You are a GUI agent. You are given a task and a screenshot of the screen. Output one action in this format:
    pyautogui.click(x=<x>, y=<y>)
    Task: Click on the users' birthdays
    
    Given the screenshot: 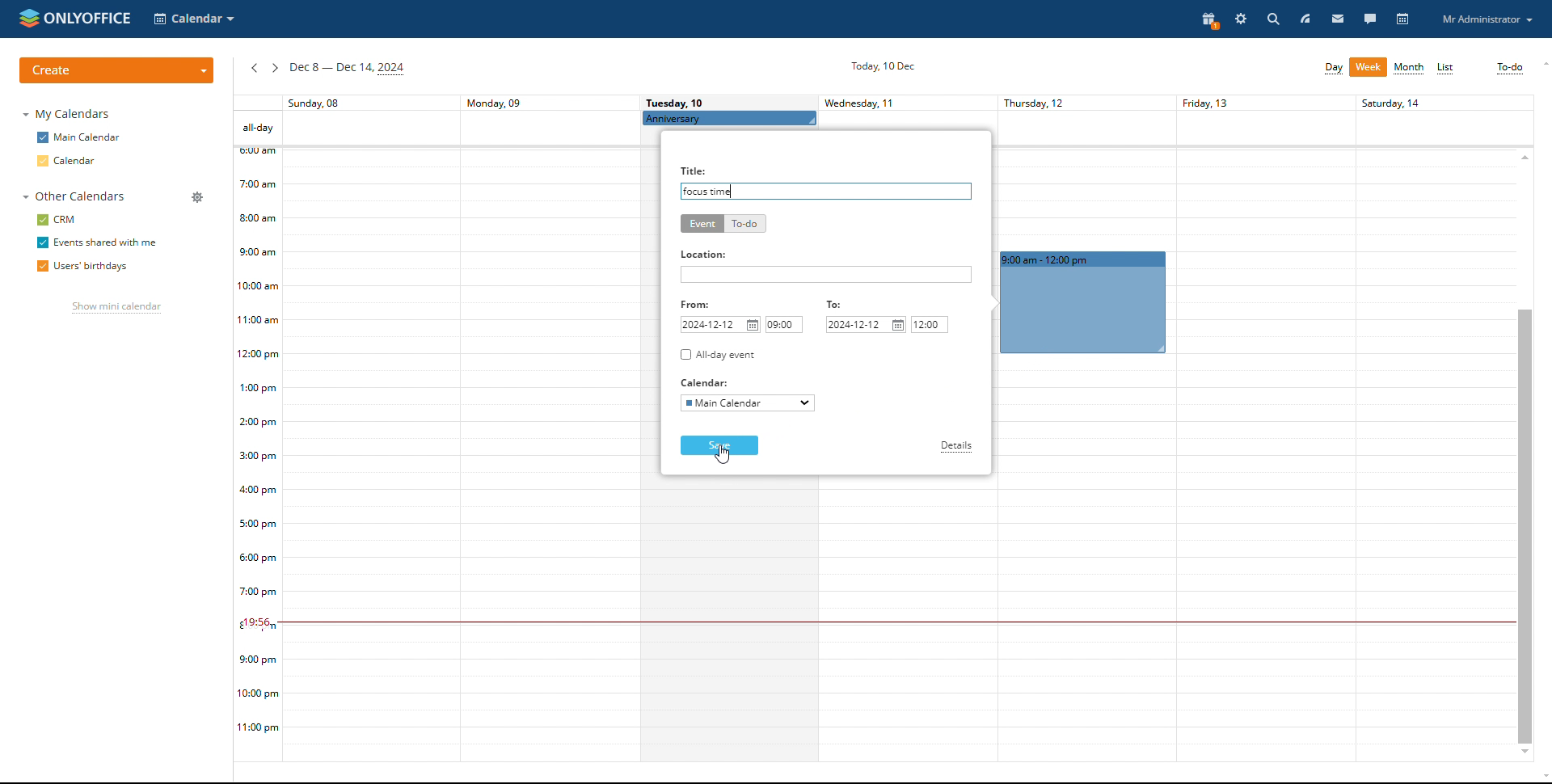 What is the action you would take?
    pyautogui.click(x=97, y=268)
    